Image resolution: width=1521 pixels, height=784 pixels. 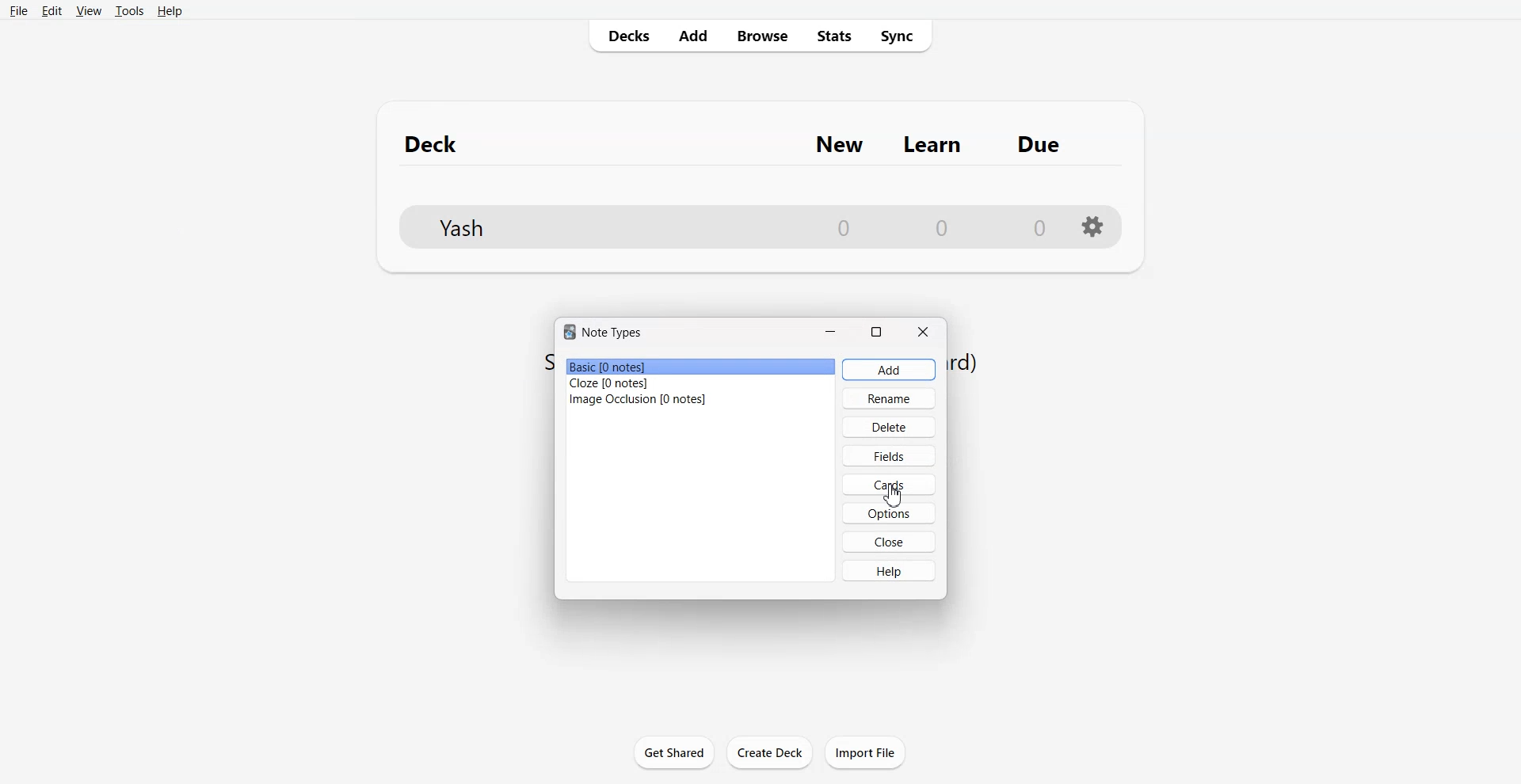 What do you see at coordinates (889, 398) in the screenshot?
I see `Rename` at bounding box center [889, 398].